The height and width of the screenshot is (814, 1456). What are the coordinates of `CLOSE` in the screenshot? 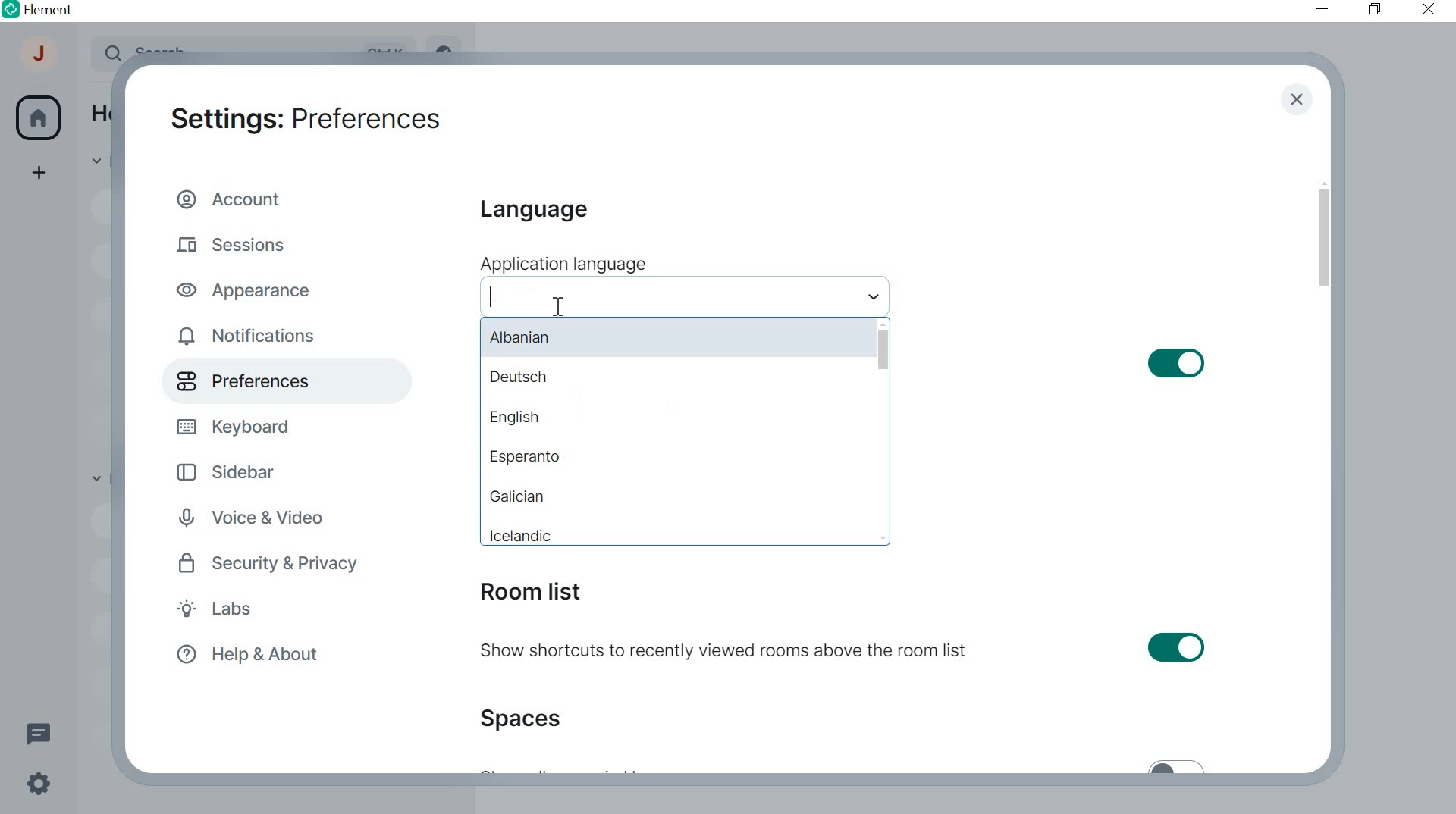 It's located at (1296, 101).